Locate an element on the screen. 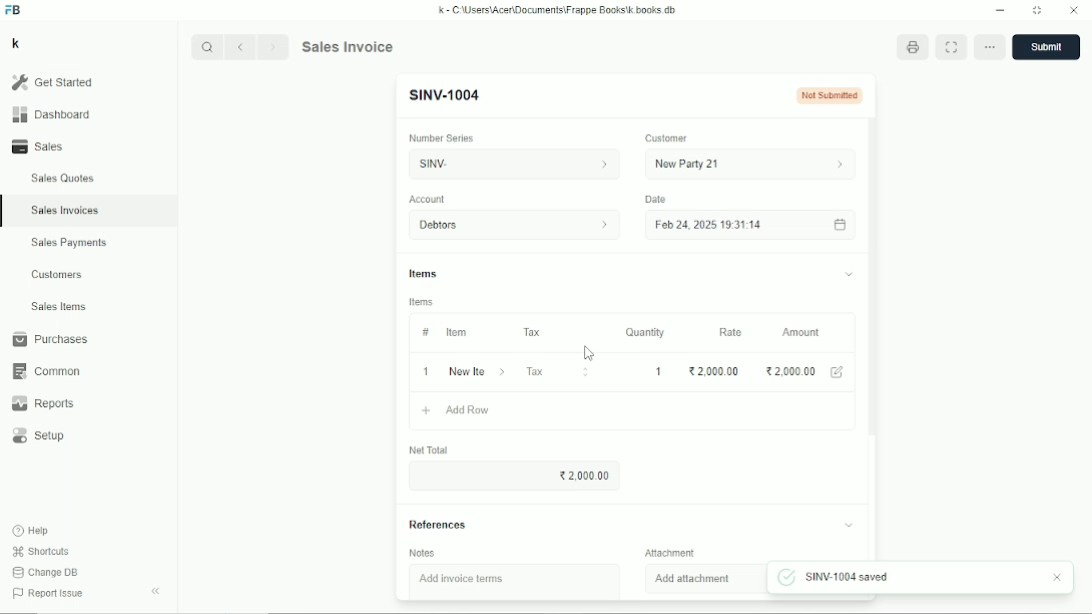 Image resolution: width=1092 pixels, height=614 pixels. SNV-1004 saved is located at coordinates (839, 578).